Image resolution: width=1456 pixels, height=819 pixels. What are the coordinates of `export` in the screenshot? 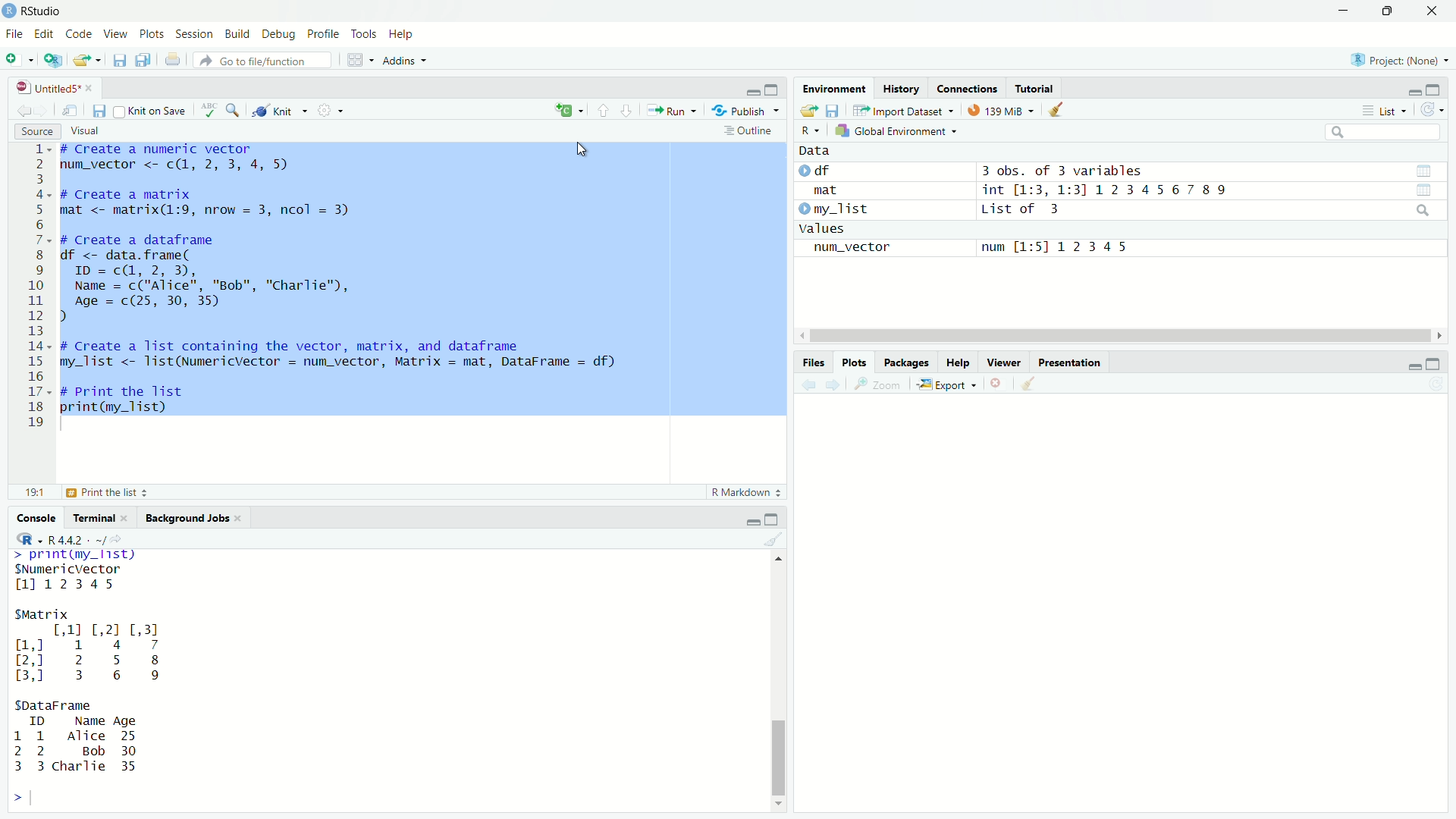 It's located at (86, 63).